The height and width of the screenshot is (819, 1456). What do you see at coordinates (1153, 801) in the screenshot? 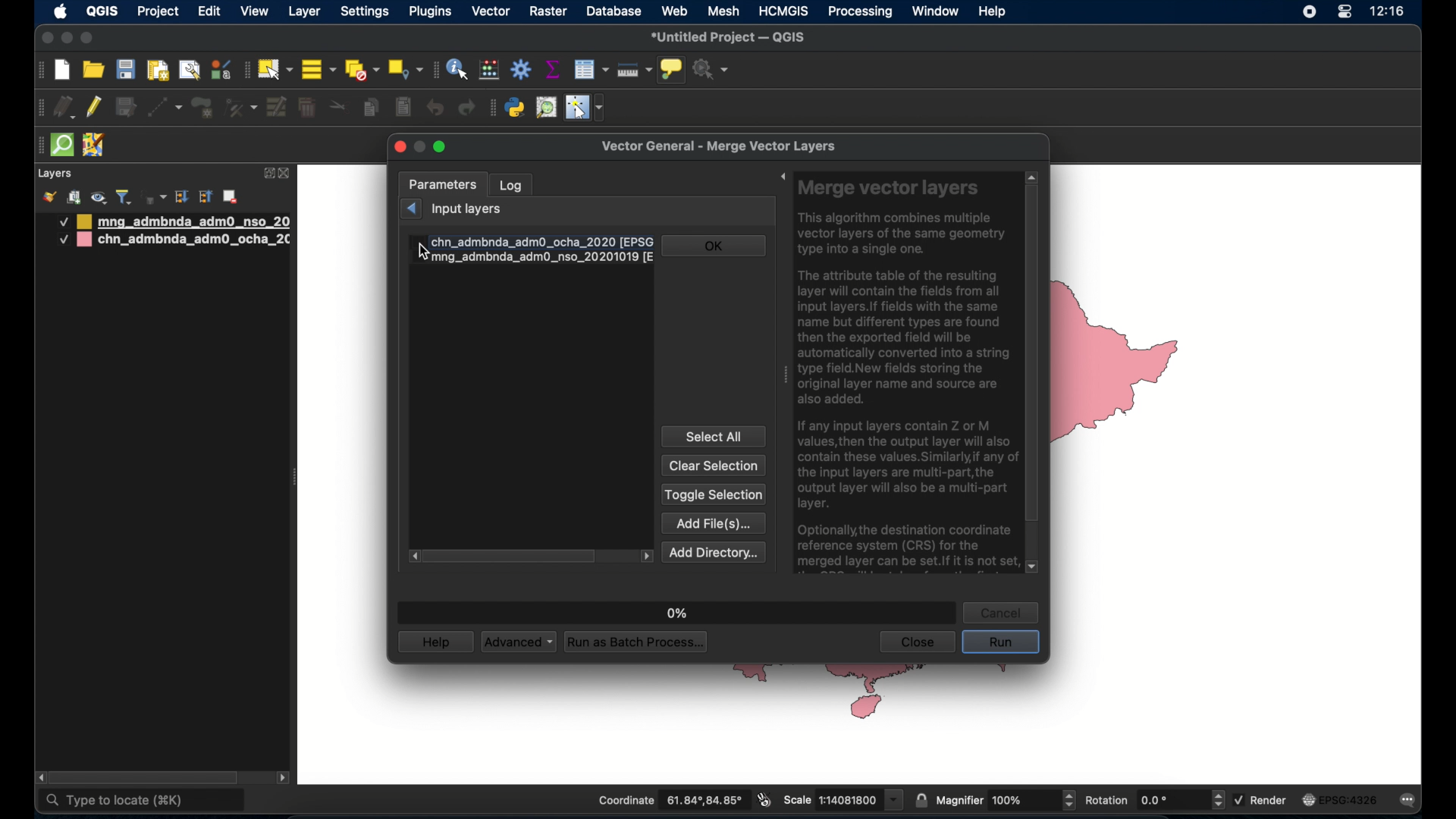
I see `rotation` at bounding box center [1153, 801].